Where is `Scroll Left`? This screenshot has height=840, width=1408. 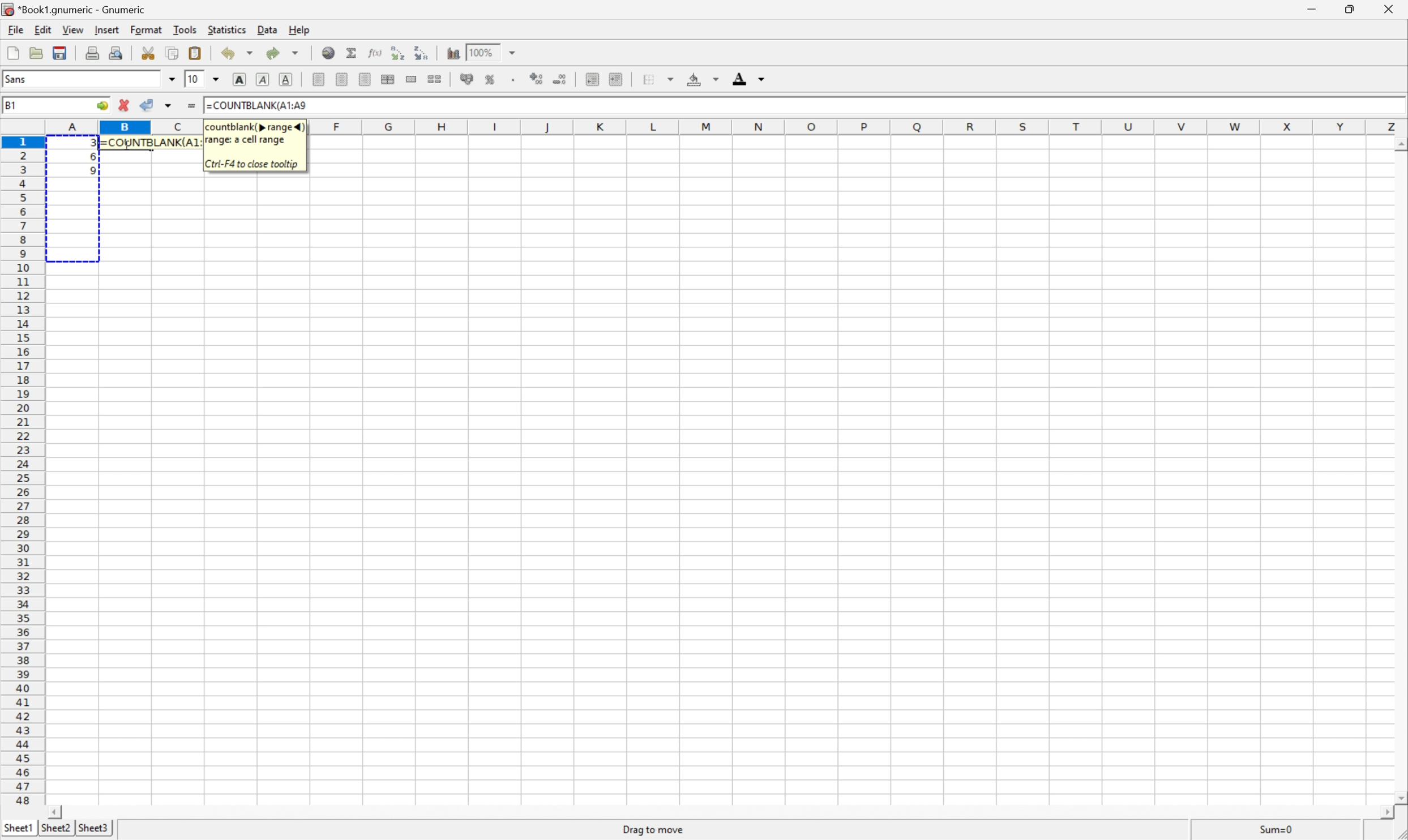 Scroll Left is located at coordinates (55, 811).